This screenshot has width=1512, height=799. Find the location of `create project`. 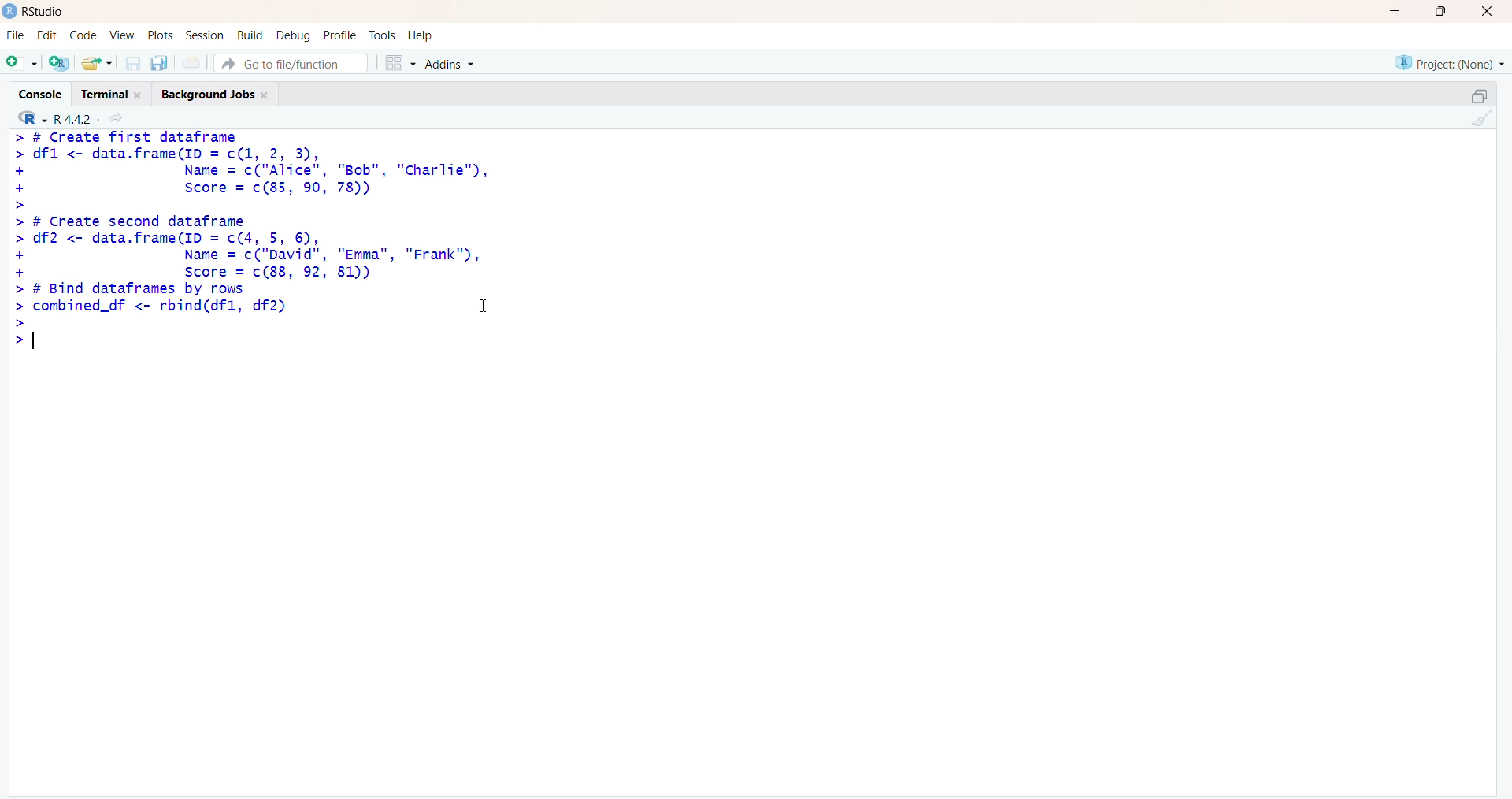

create project is located at coordinates (59, 62).